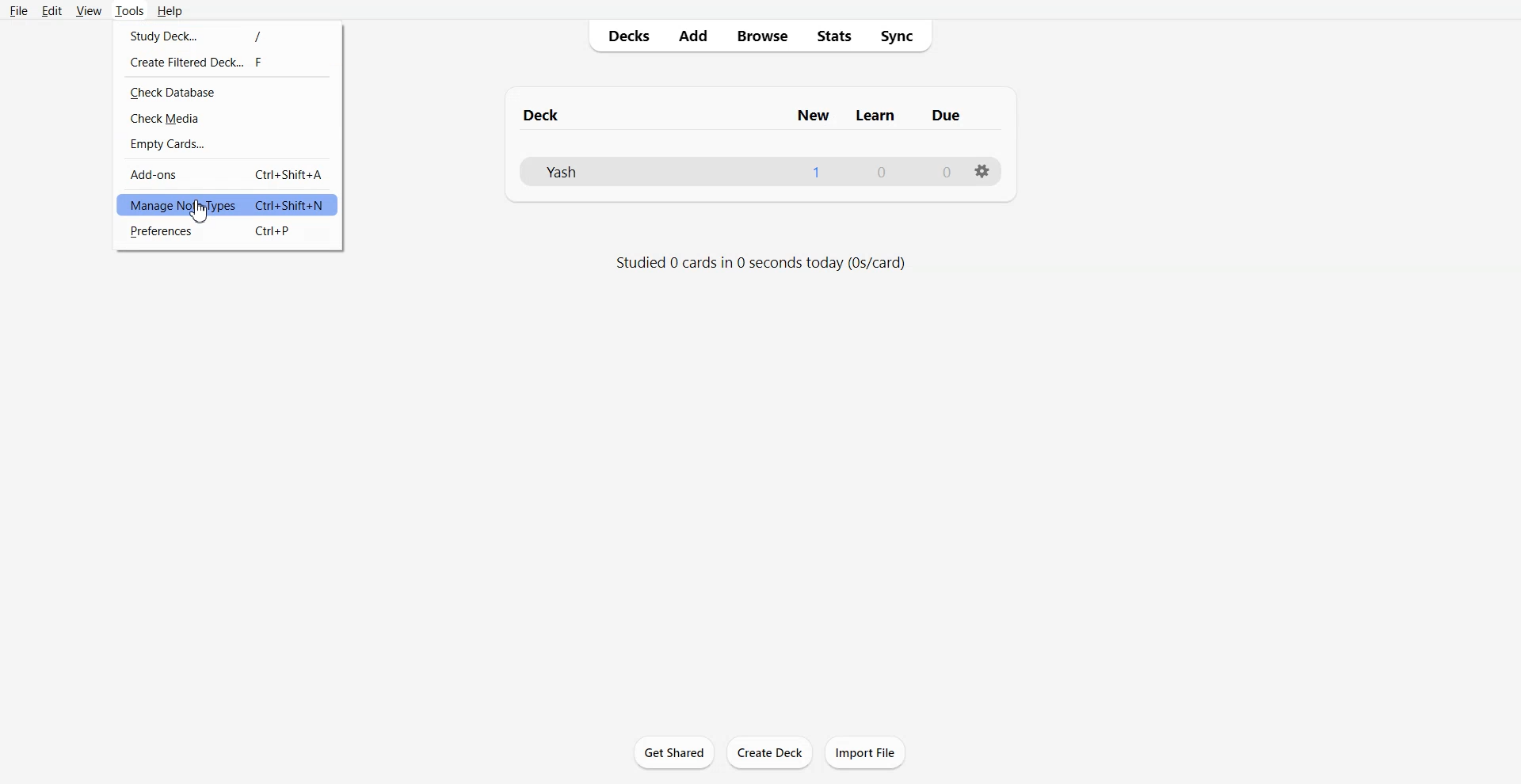 Image resolution: width=1521 pixels, height=784 pixels. I want to click on Add, so click(692, 37).